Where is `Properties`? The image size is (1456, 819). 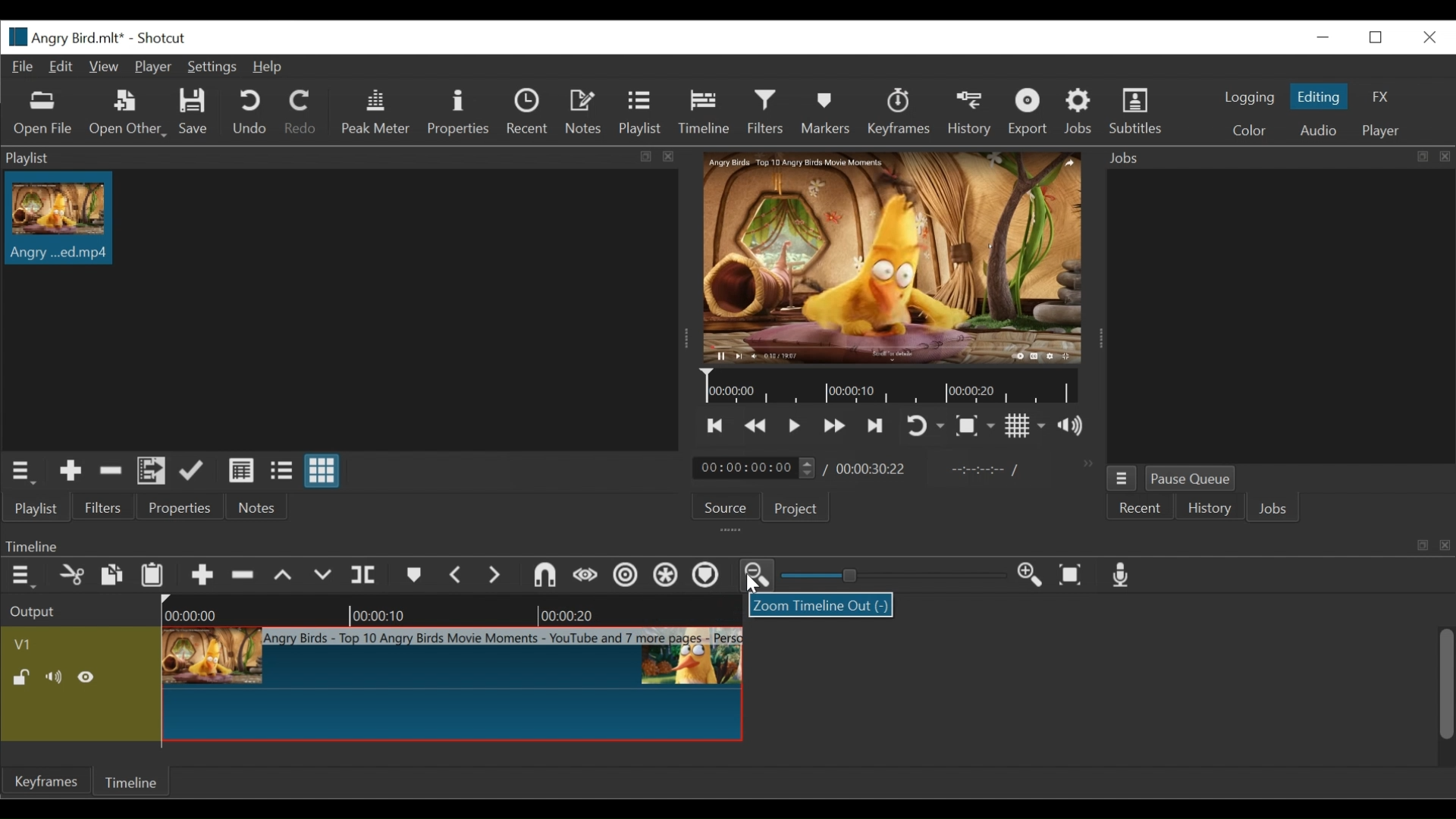 Properties is located at coordinates (460, 112).